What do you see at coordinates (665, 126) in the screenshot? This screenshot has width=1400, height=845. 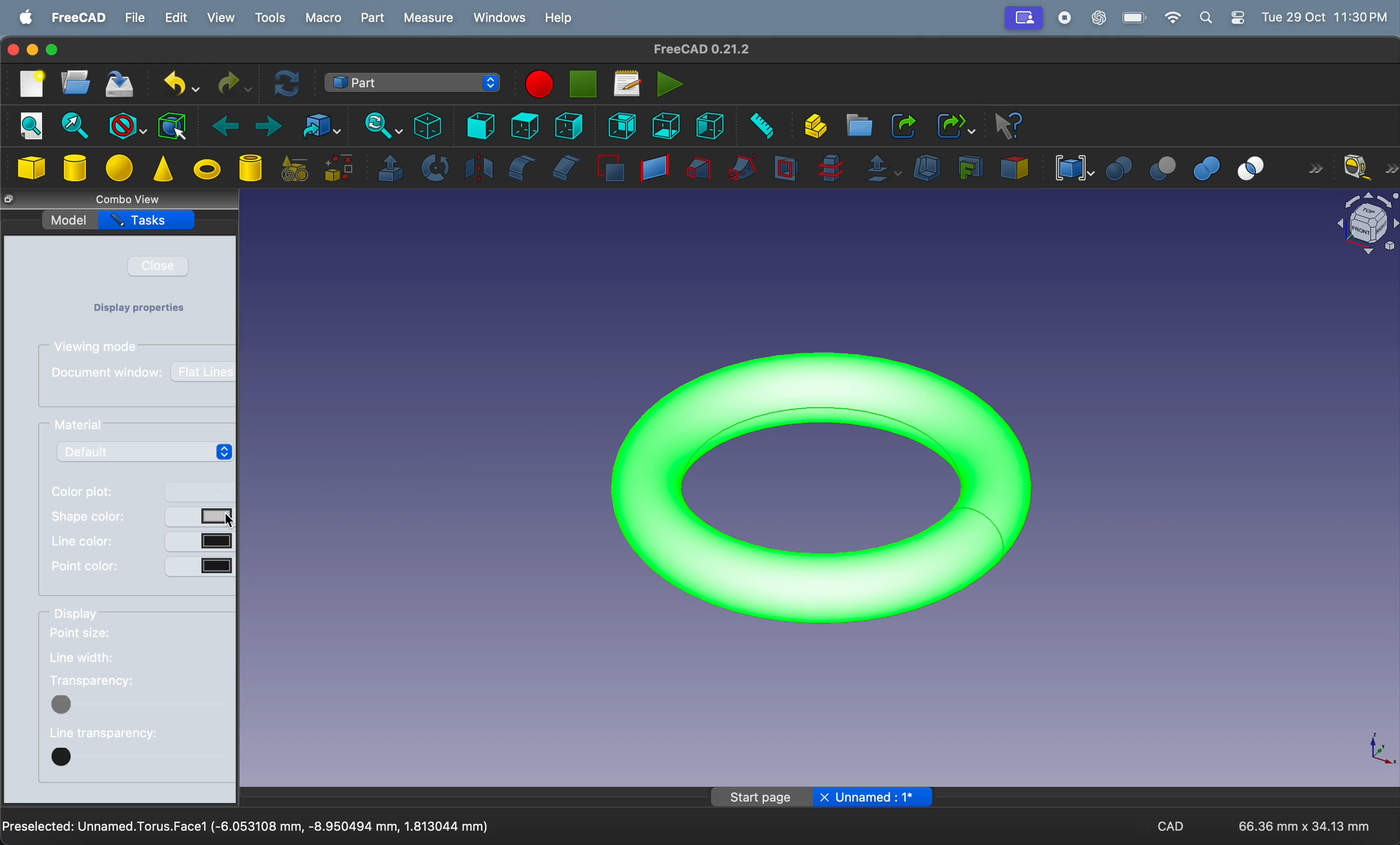 I see `bottom view` at bounding box center [665, 126].